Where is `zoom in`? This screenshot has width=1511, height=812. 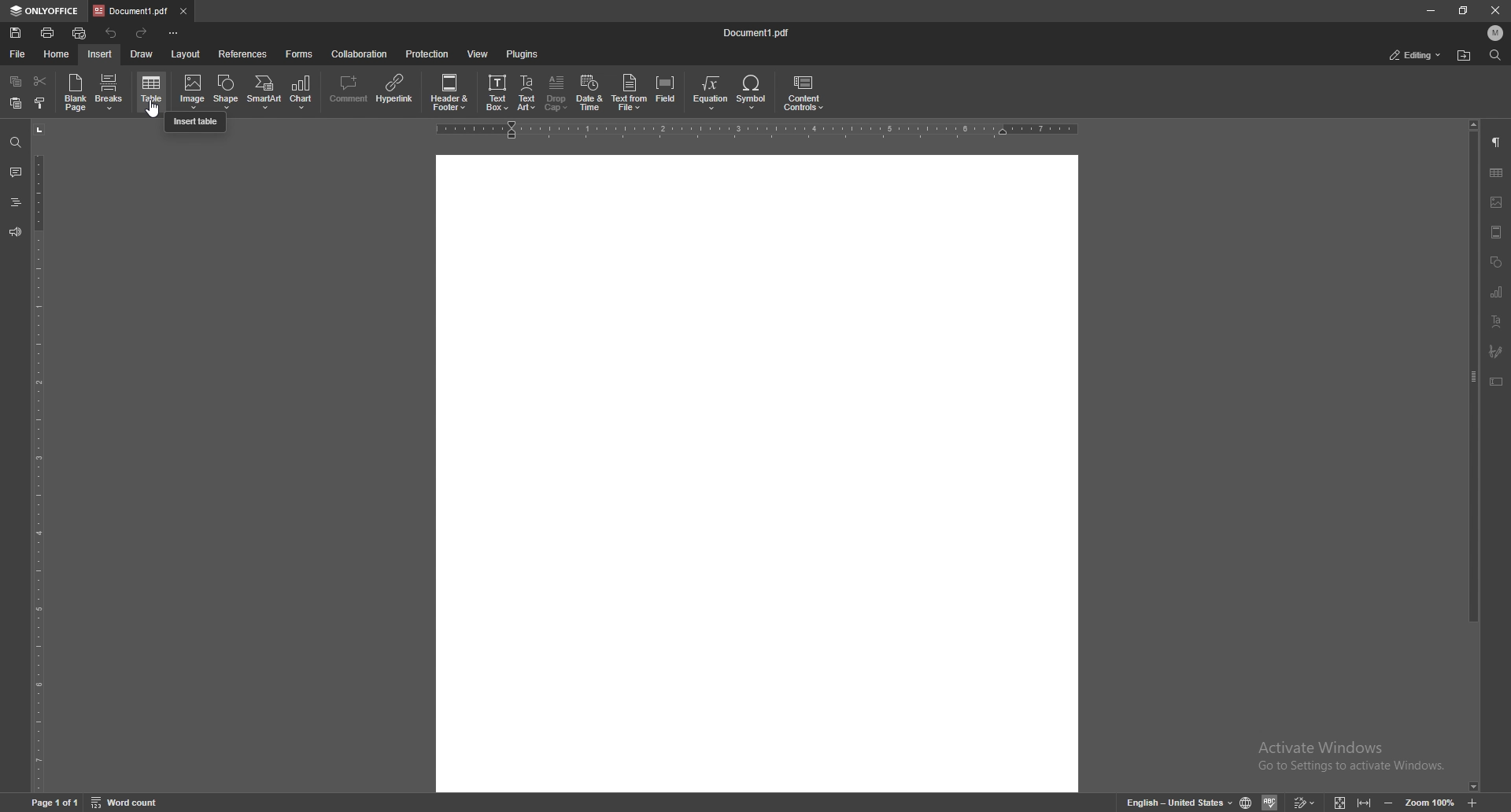
zoom in is located at coordinates (1473, 802).